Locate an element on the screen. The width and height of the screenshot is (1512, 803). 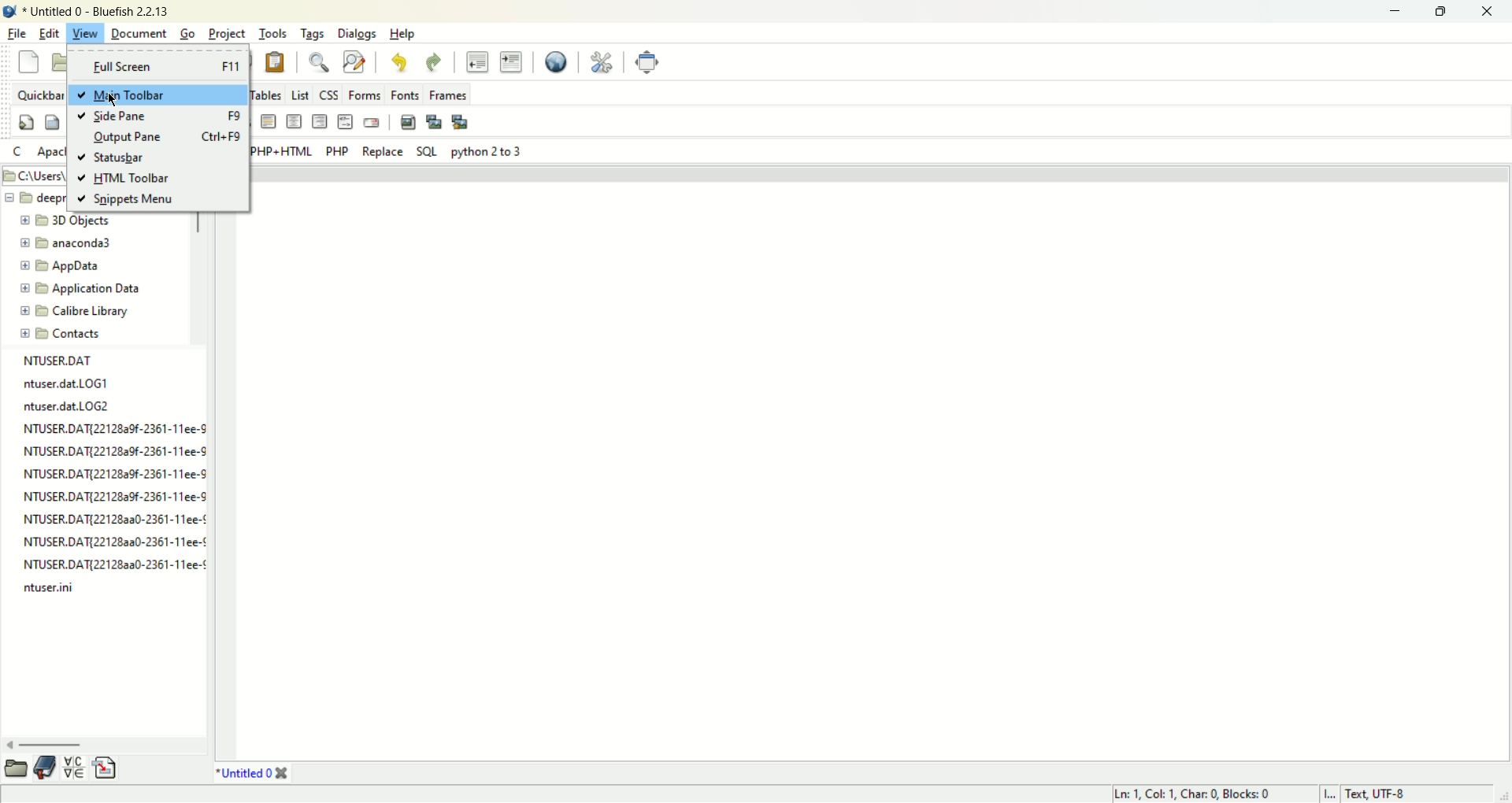
cursor is located at coordinates (117, 102).